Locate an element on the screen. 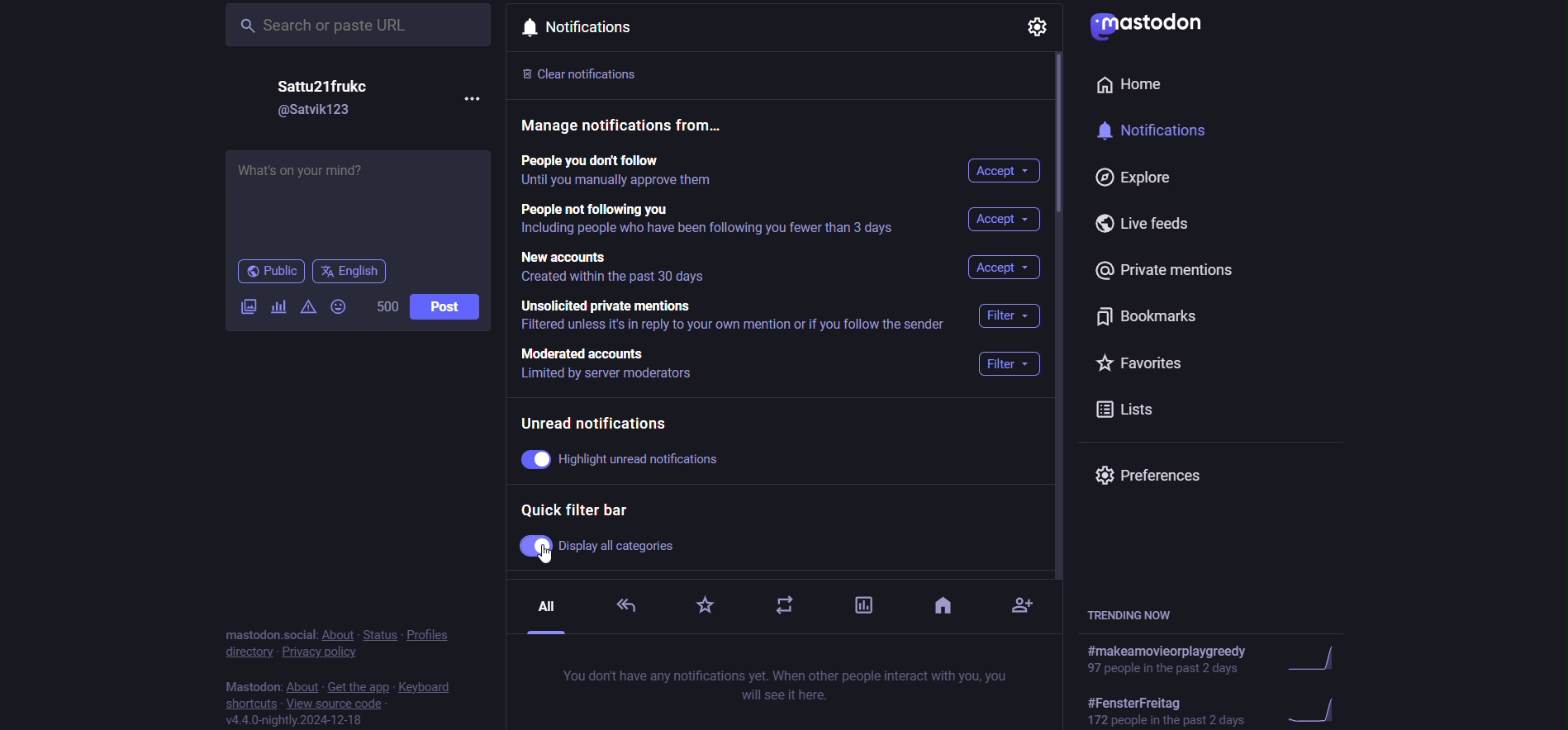 The height and width of the screenshot is (730, 1568). manage notification from.. is located at coordinates (625, 125).